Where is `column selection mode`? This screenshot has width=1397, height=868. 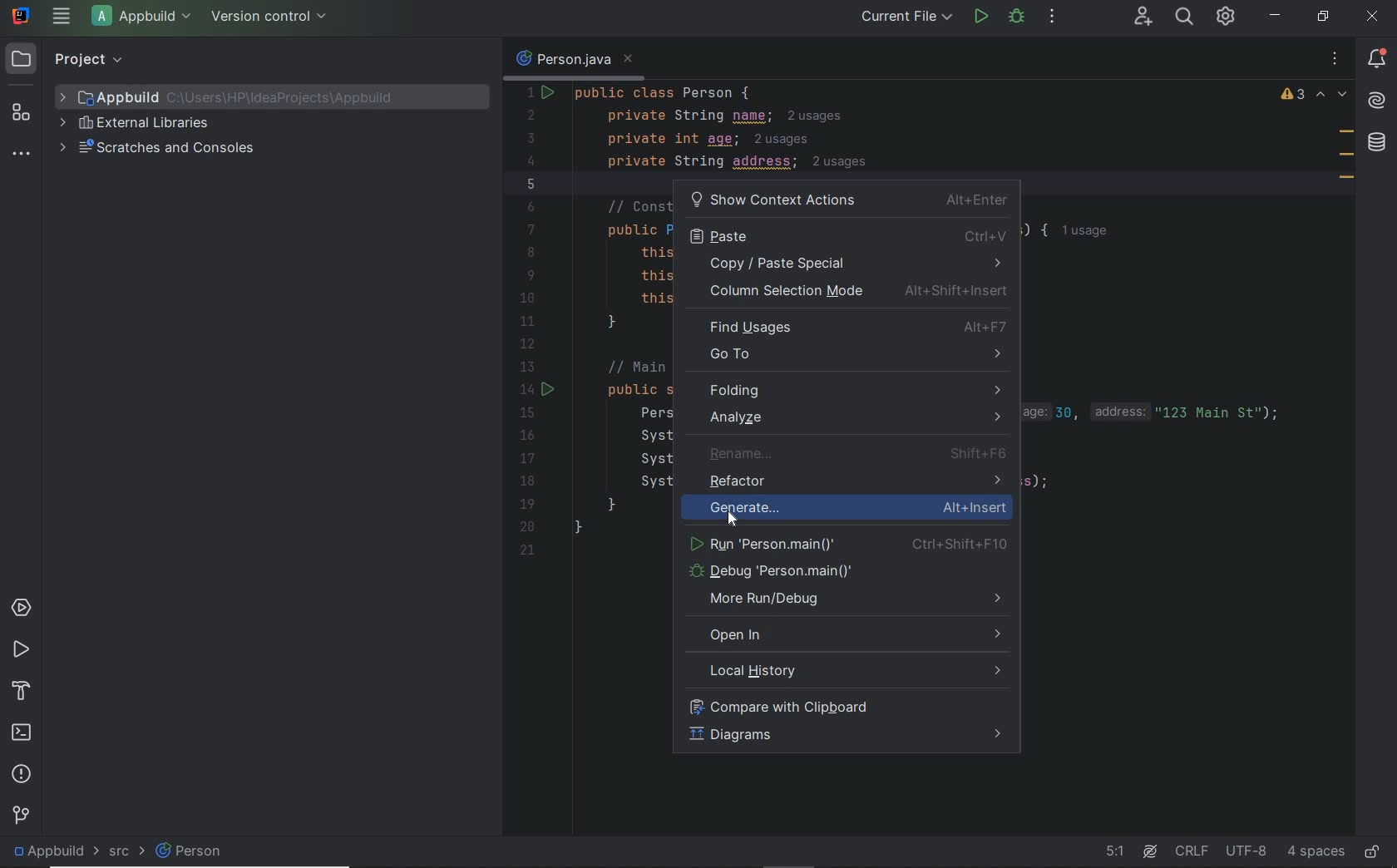
column selection mode is located at coordinates (852, 293).